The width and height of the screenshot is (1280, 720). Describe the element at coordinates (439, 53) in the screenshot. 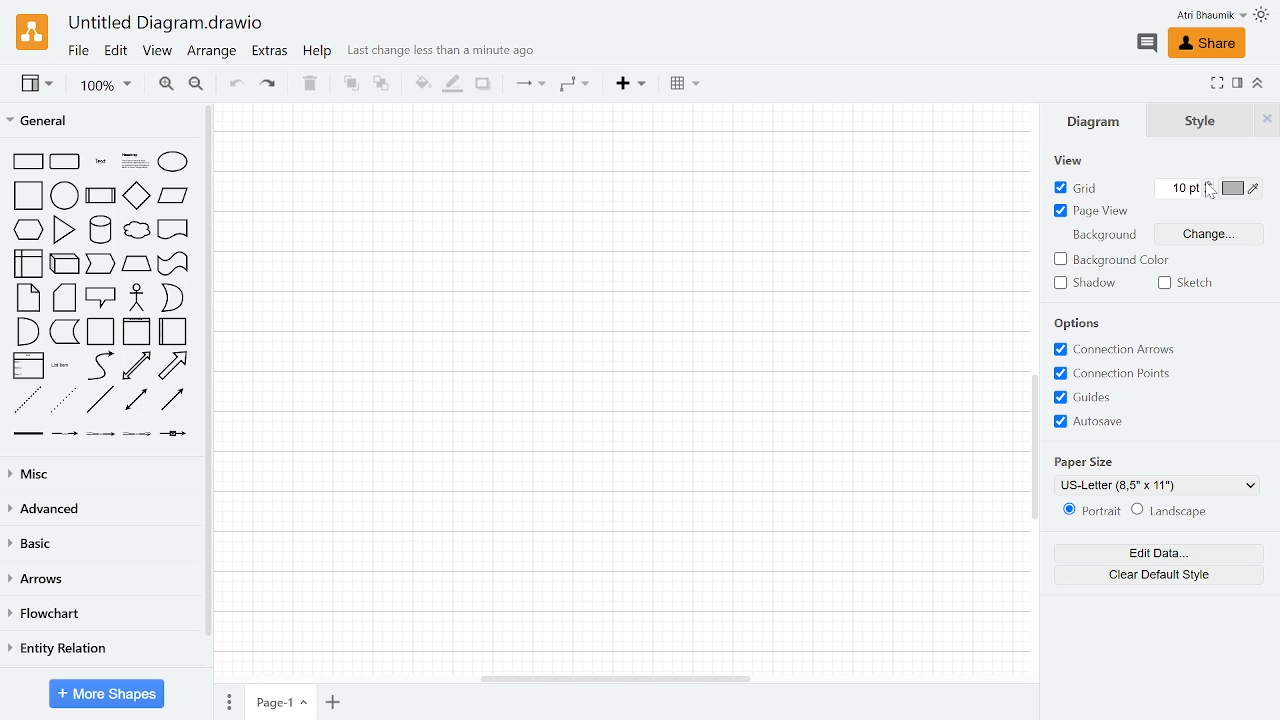

I see `Last change timing` at that location.